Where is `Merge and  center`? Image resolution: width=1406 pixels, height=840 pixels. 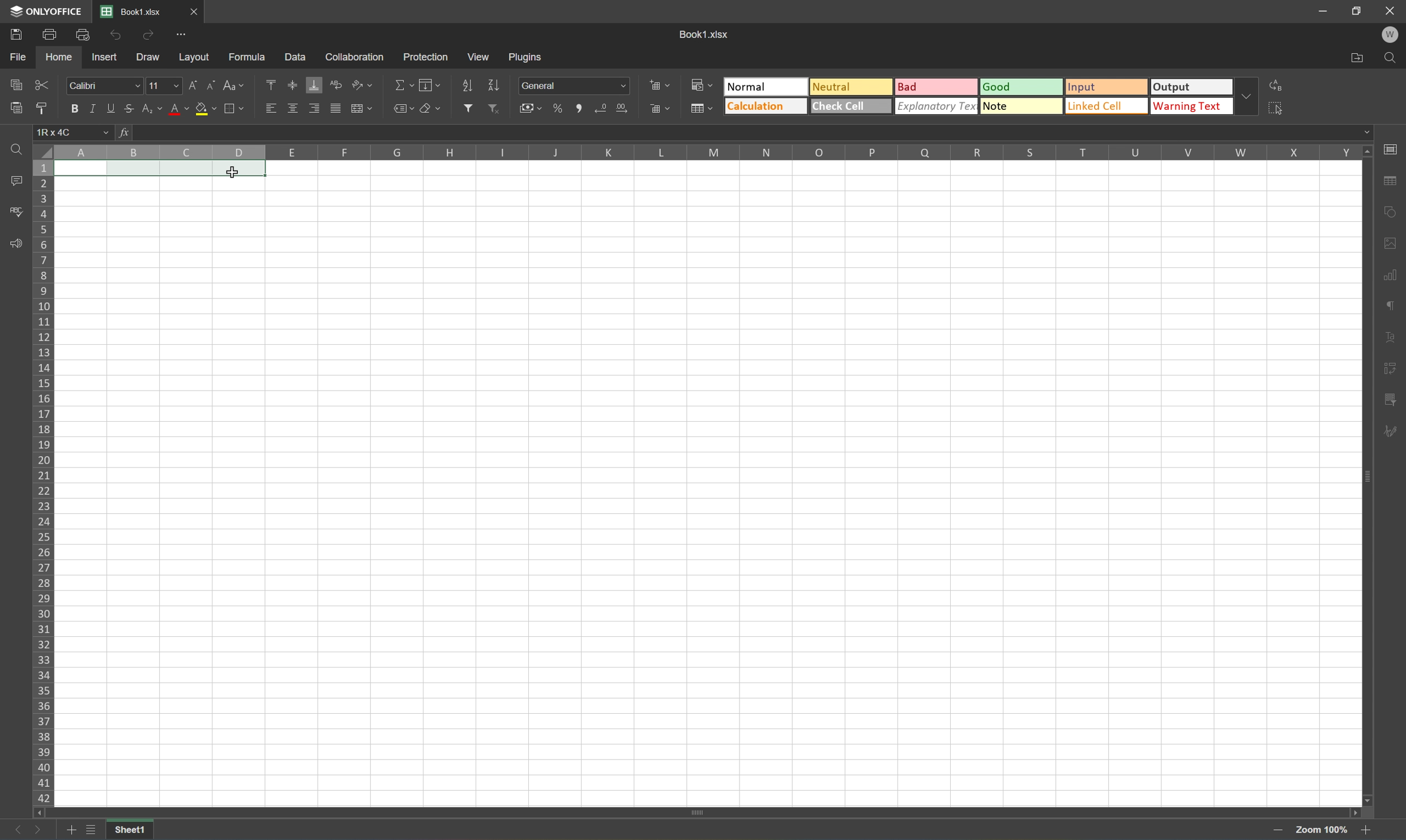
Merge and  center is located at coordinates (362, 111).